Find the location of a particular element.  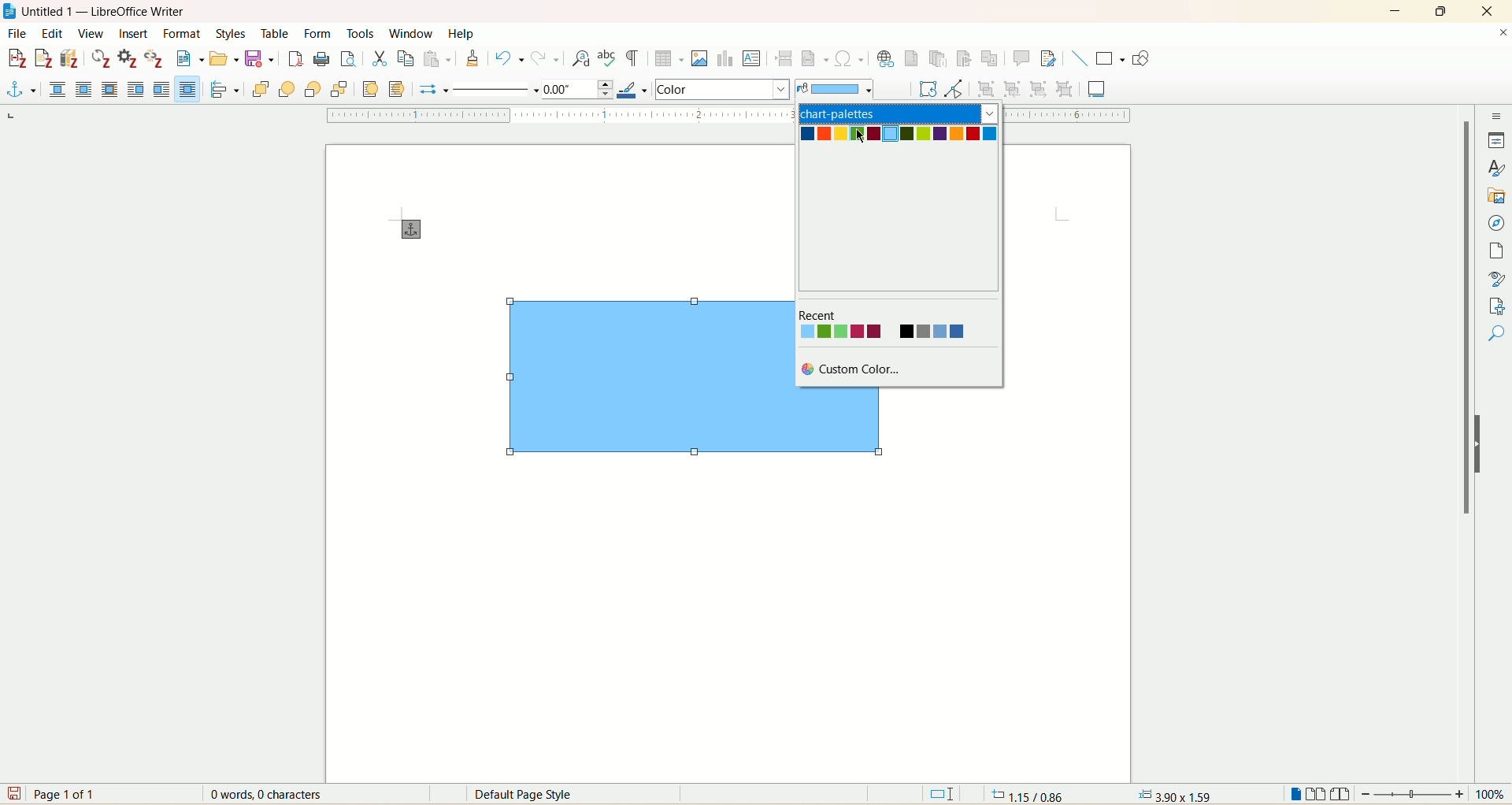

single page view is located at coordinates (1294, 794).